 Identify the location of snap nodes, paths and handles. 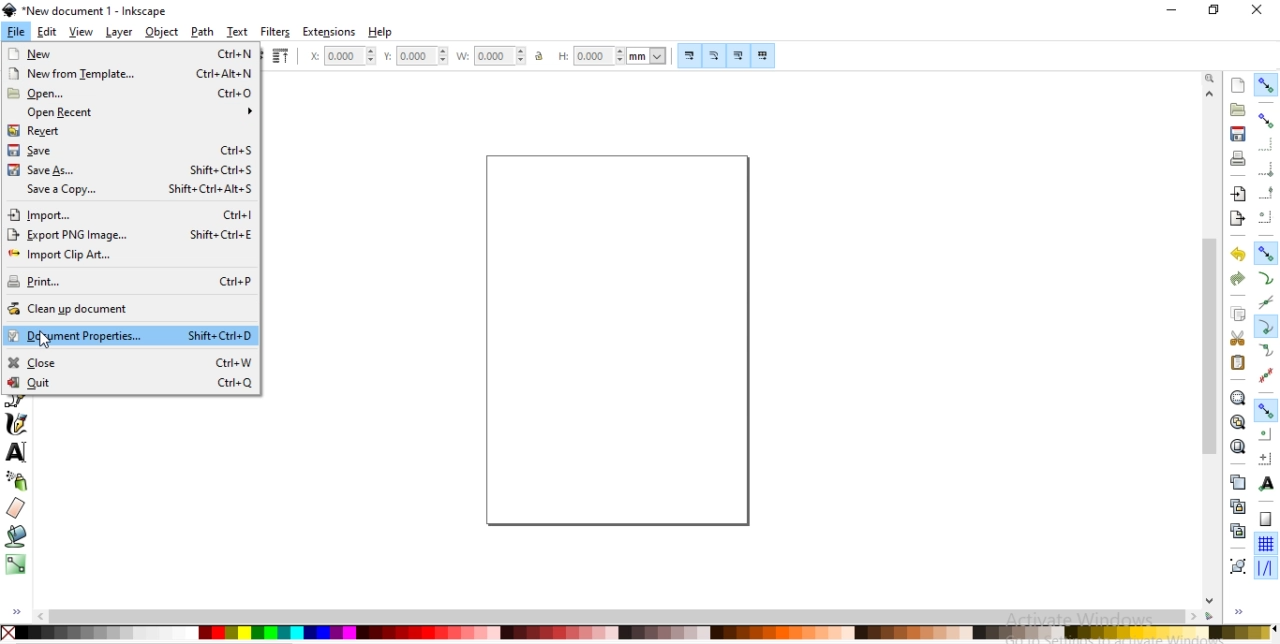
(1266, 253).